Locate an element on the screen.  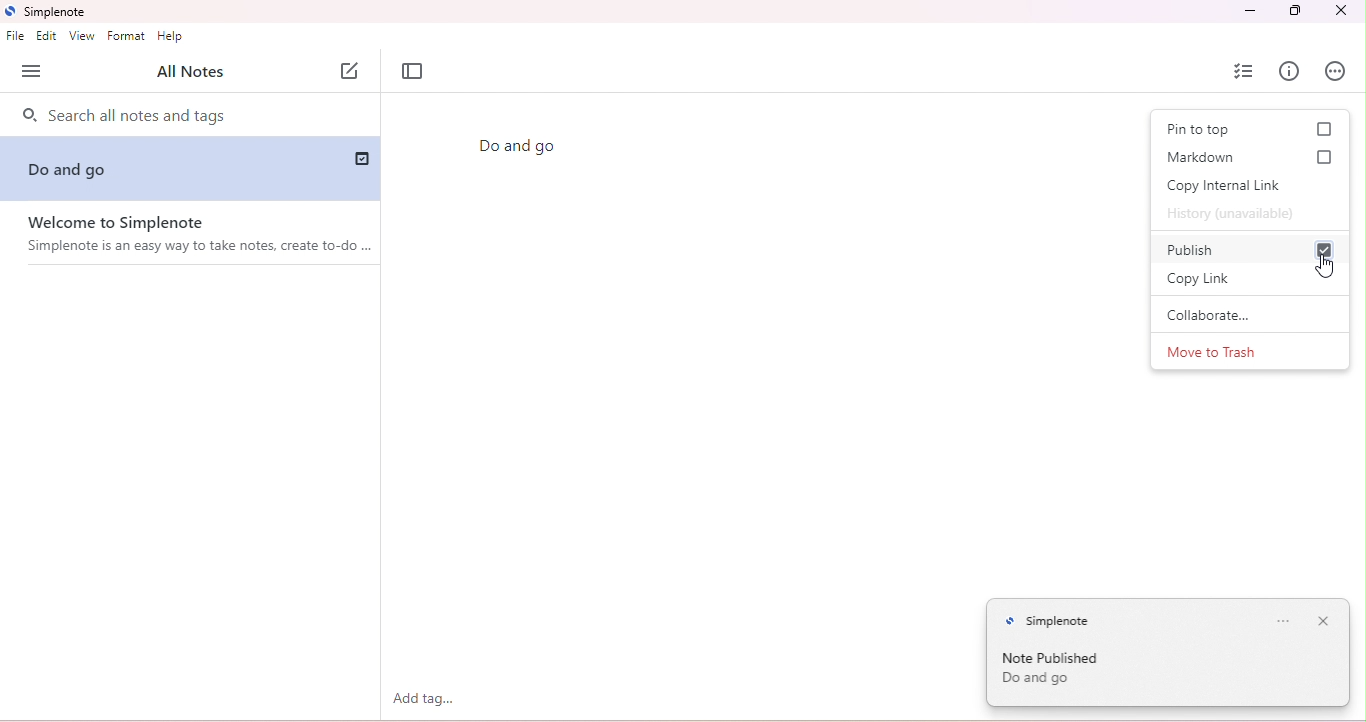
simplenote is located at coordinates (1054, 620).